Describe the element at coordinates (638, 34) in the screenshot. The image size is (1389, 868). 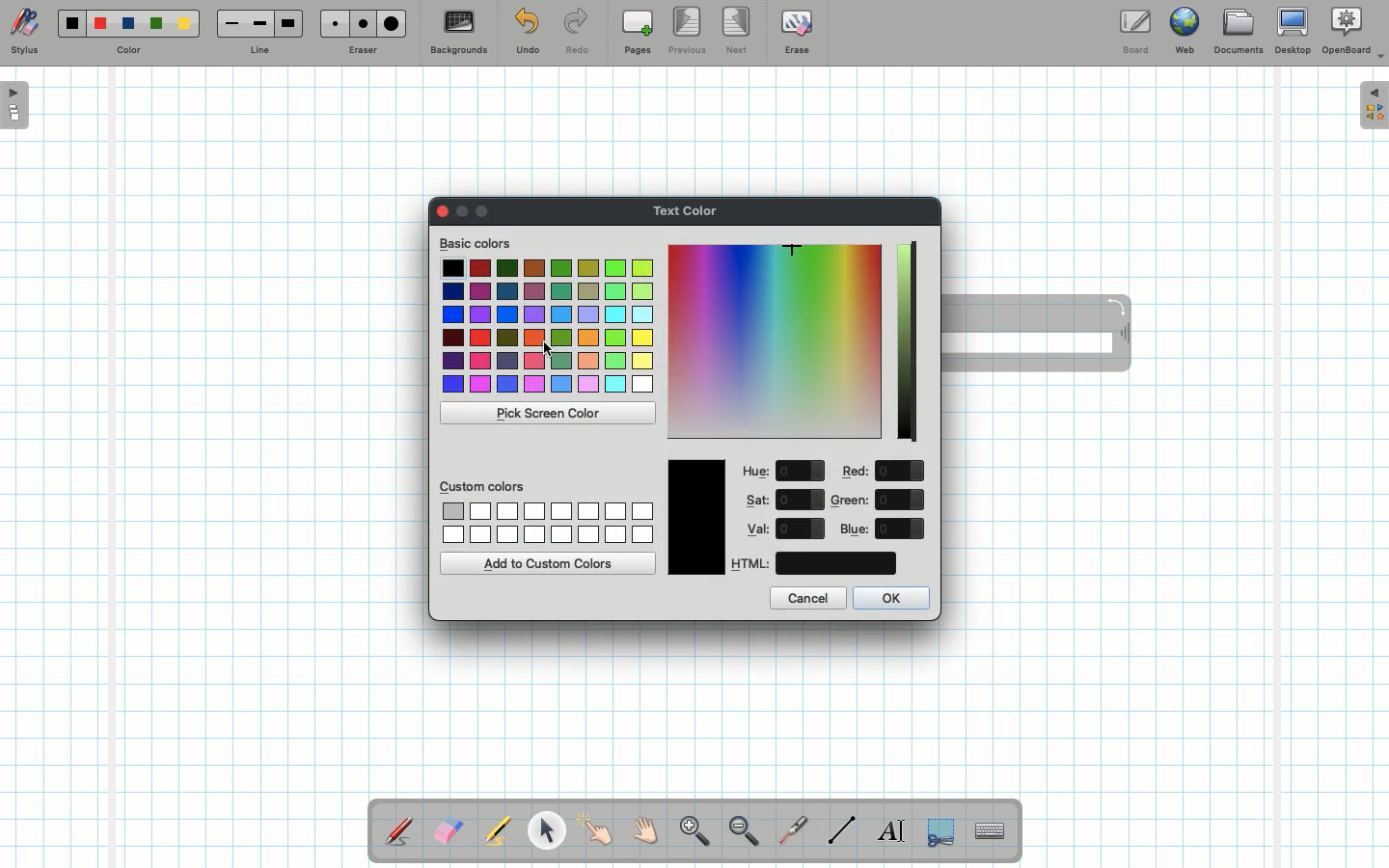
I see `Pages` at that location.